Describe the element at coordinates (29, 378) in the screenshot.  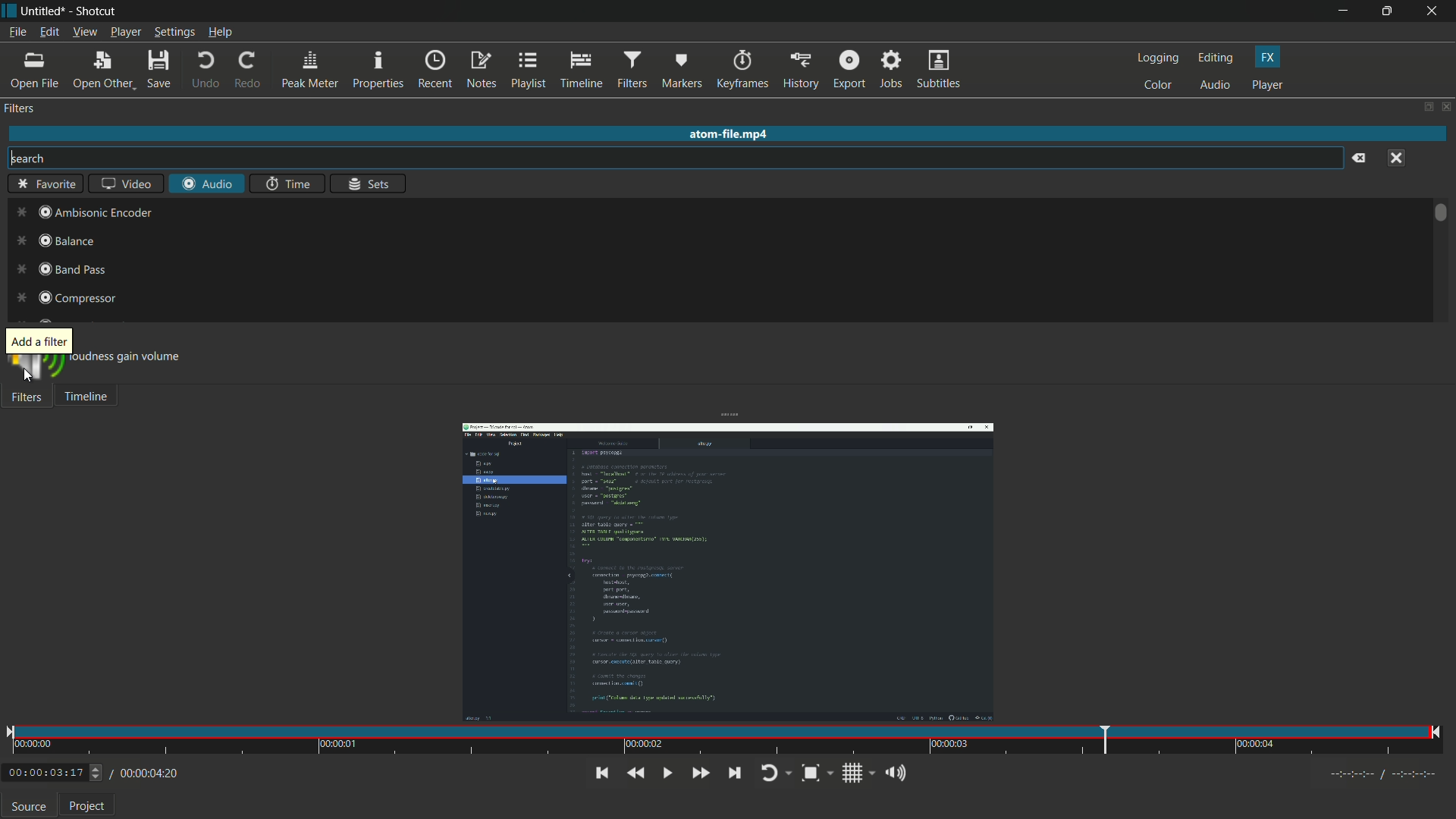
I see `cursor` at that location.